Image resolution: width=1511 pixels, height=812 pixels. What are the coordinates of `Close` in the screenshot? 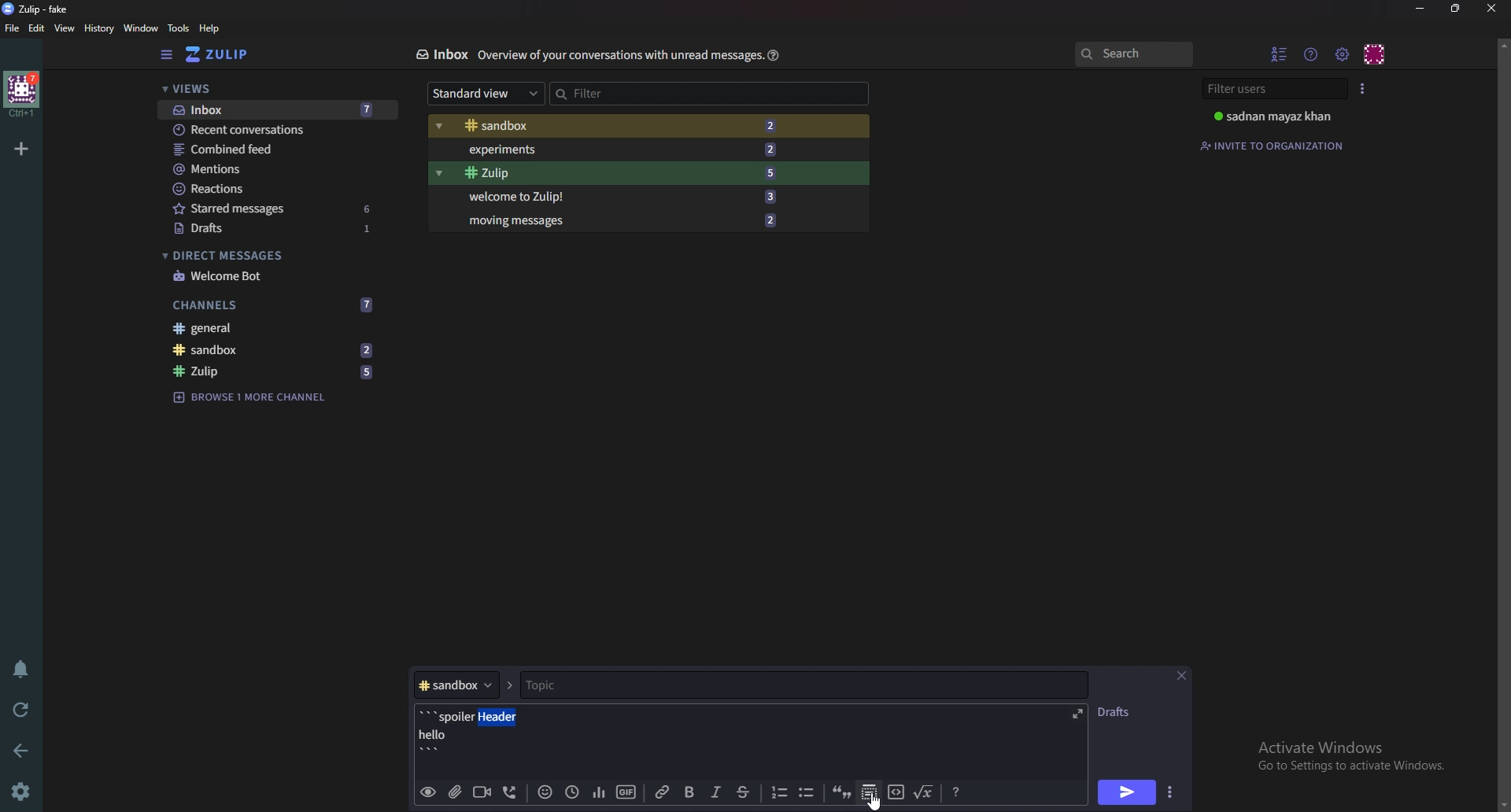 It's located at (1494, 9).